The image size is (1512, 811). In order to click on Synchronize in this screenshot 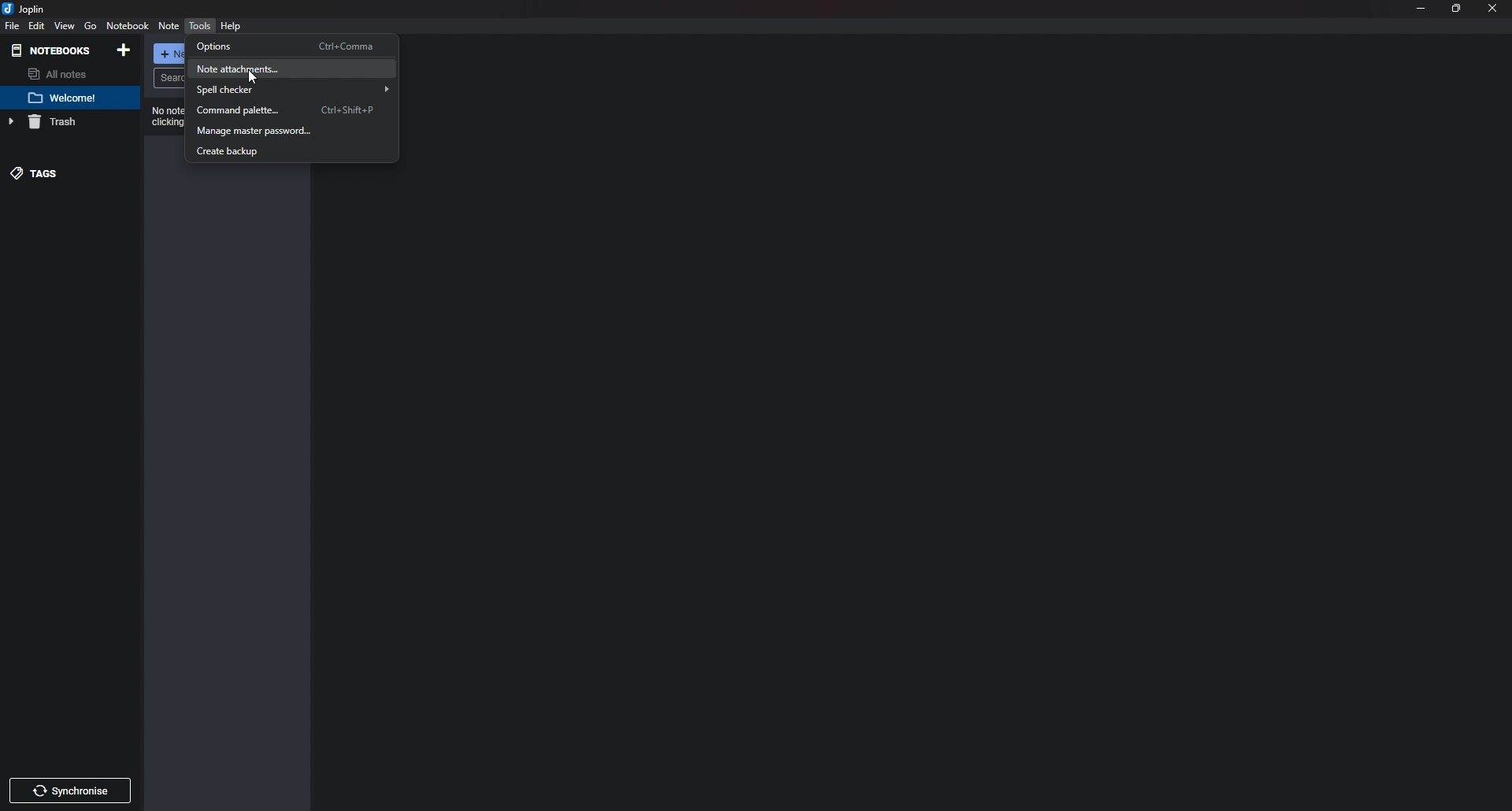, I will do `click(71, 790)`.